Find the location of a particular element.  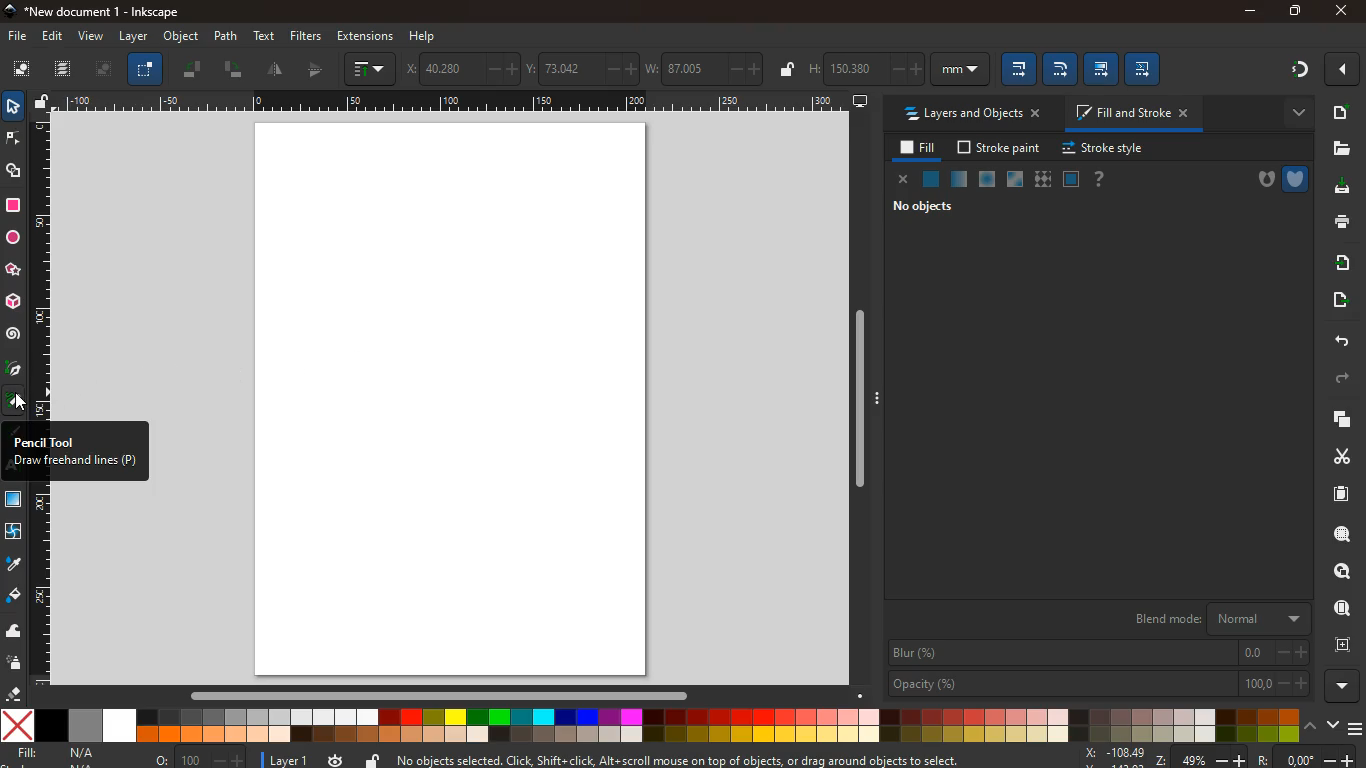

unlock is located at coordinates (374, 759).